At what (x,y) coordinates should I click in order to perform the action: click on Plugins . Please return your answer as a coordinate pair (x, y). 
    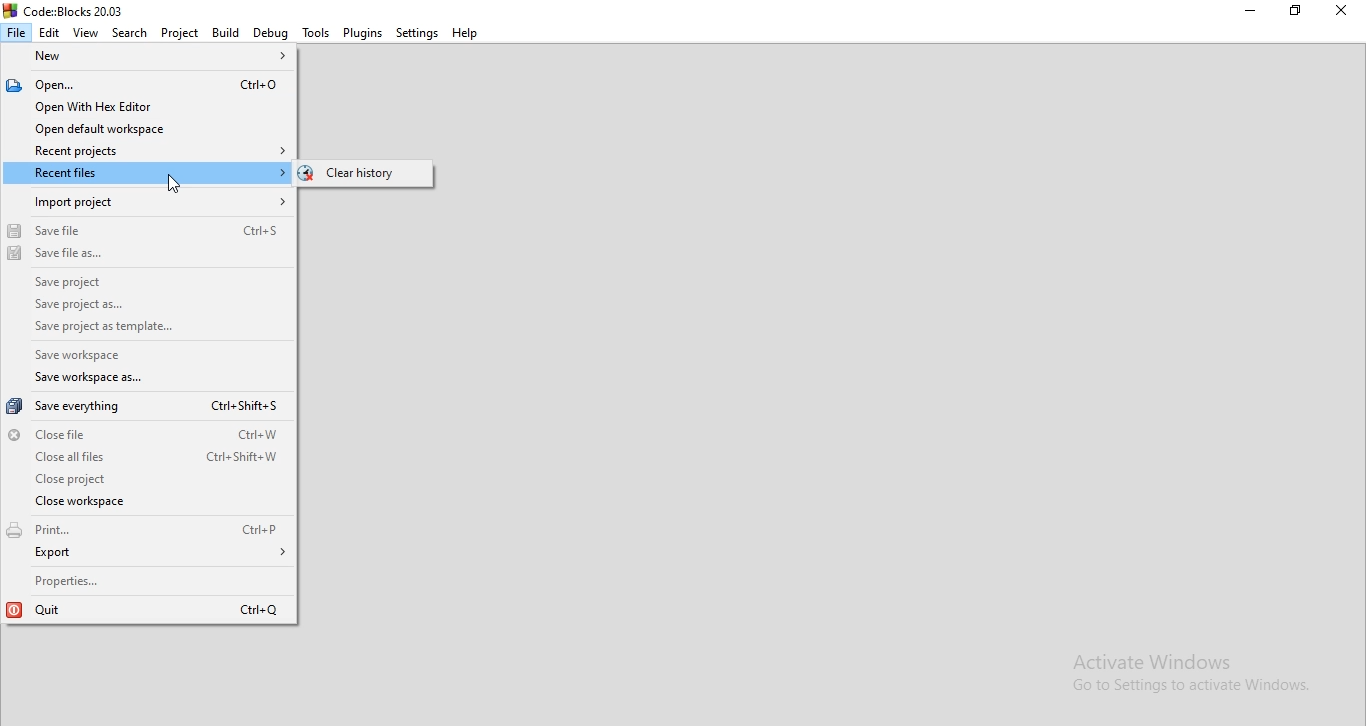
    Looking at the image, I should click on (363, 34).